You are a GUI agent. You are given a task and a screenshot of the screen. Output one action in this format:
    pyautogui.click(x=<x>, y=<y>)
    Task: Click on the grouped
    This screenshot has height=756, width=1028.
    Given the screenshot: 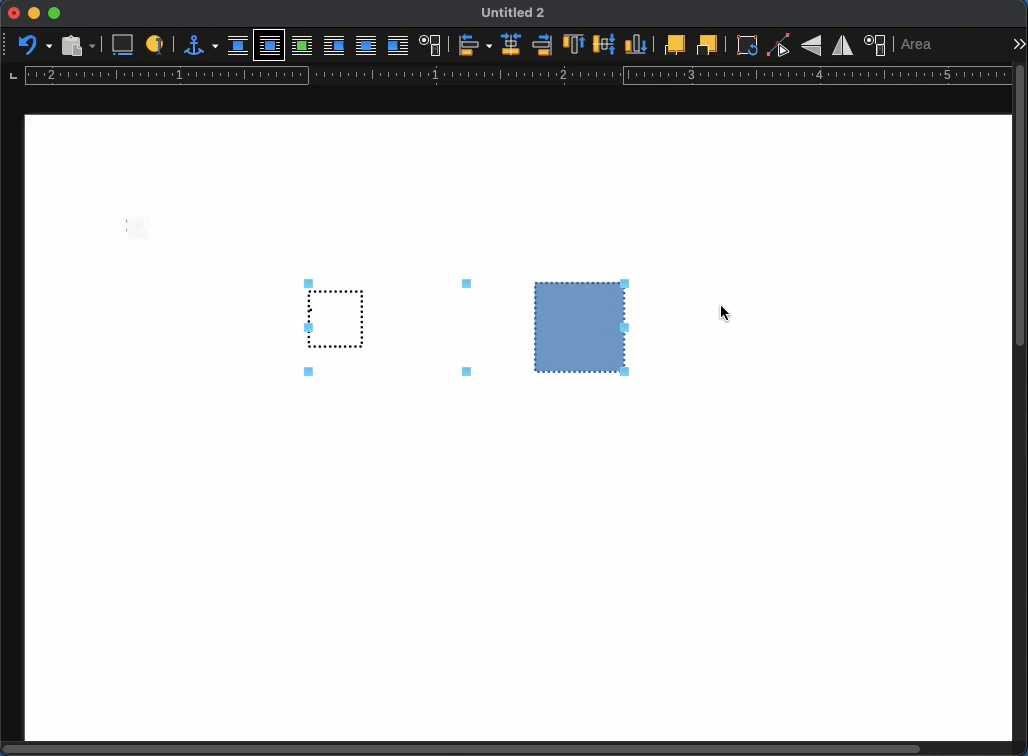 What is the action you would take?
    pyautogui.click(x=473, y=319)
    